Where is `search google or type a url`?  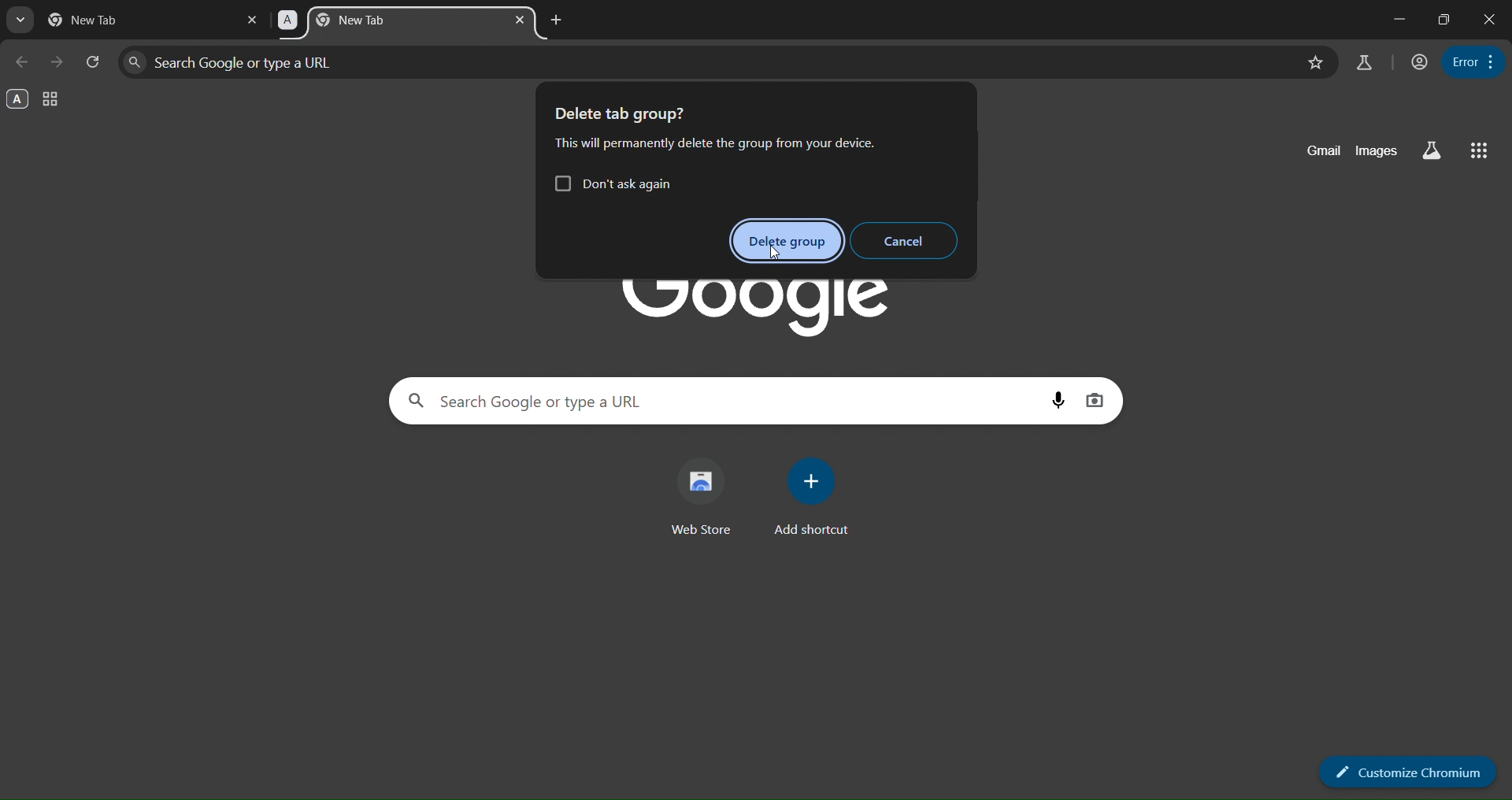 search google or type a url is located at coordinates (564, 398).